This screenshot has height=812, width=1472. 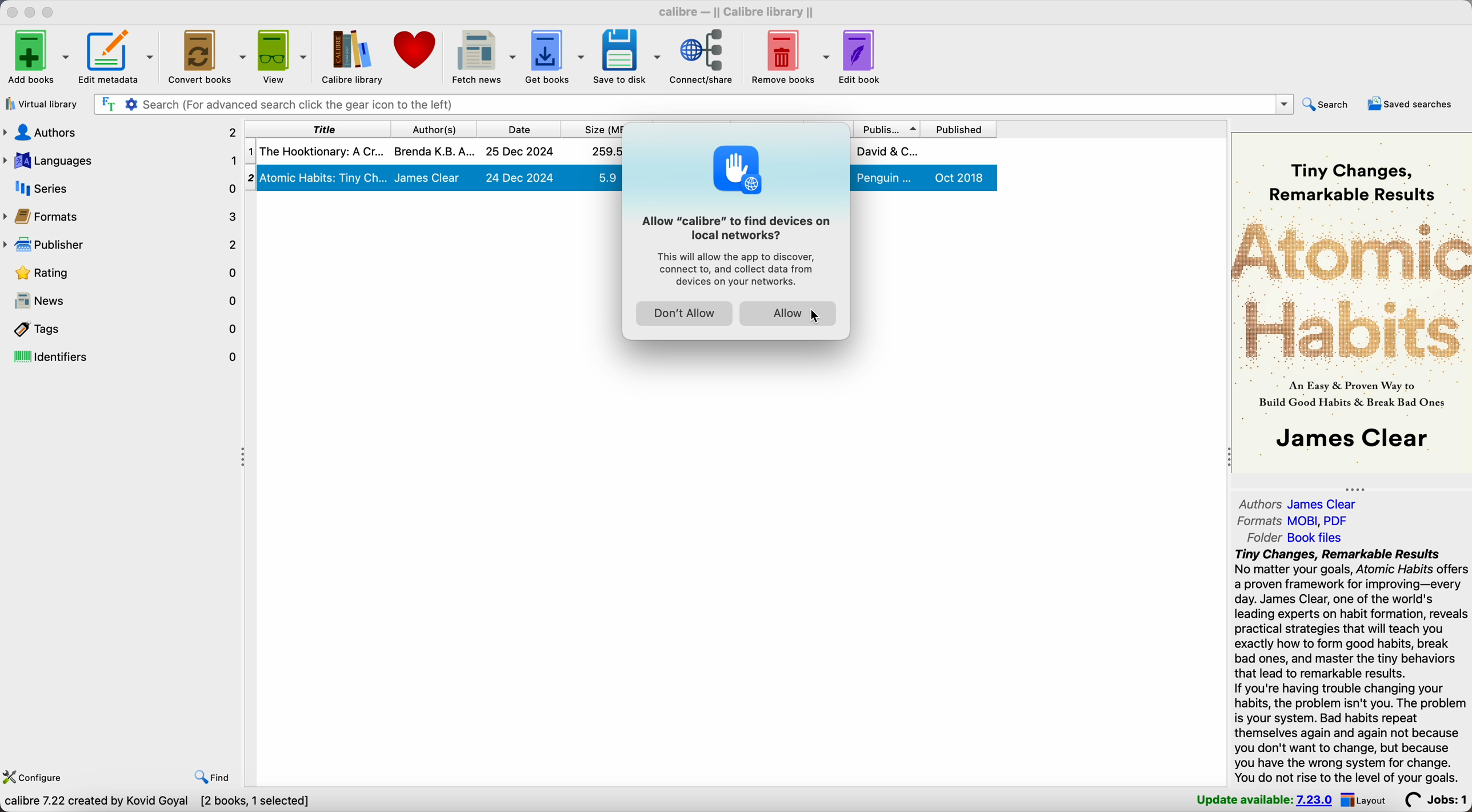 What do you see at coordinates (428, 178) in the screenshot?
I see `James Clear` at bounding box center [428, 178].